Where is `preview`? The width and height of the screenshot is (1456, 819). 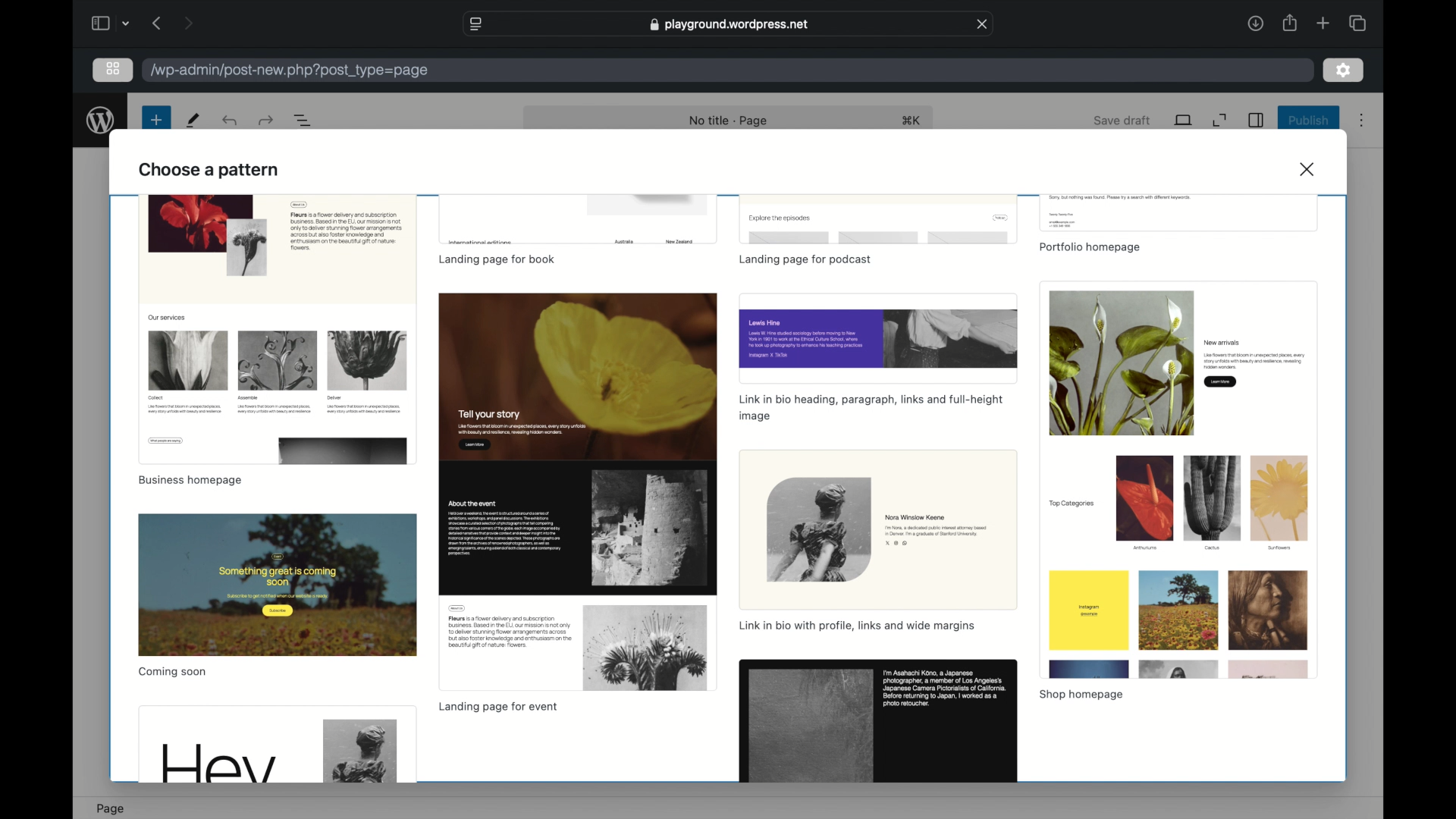 preview is located at coordinates (579, 491).